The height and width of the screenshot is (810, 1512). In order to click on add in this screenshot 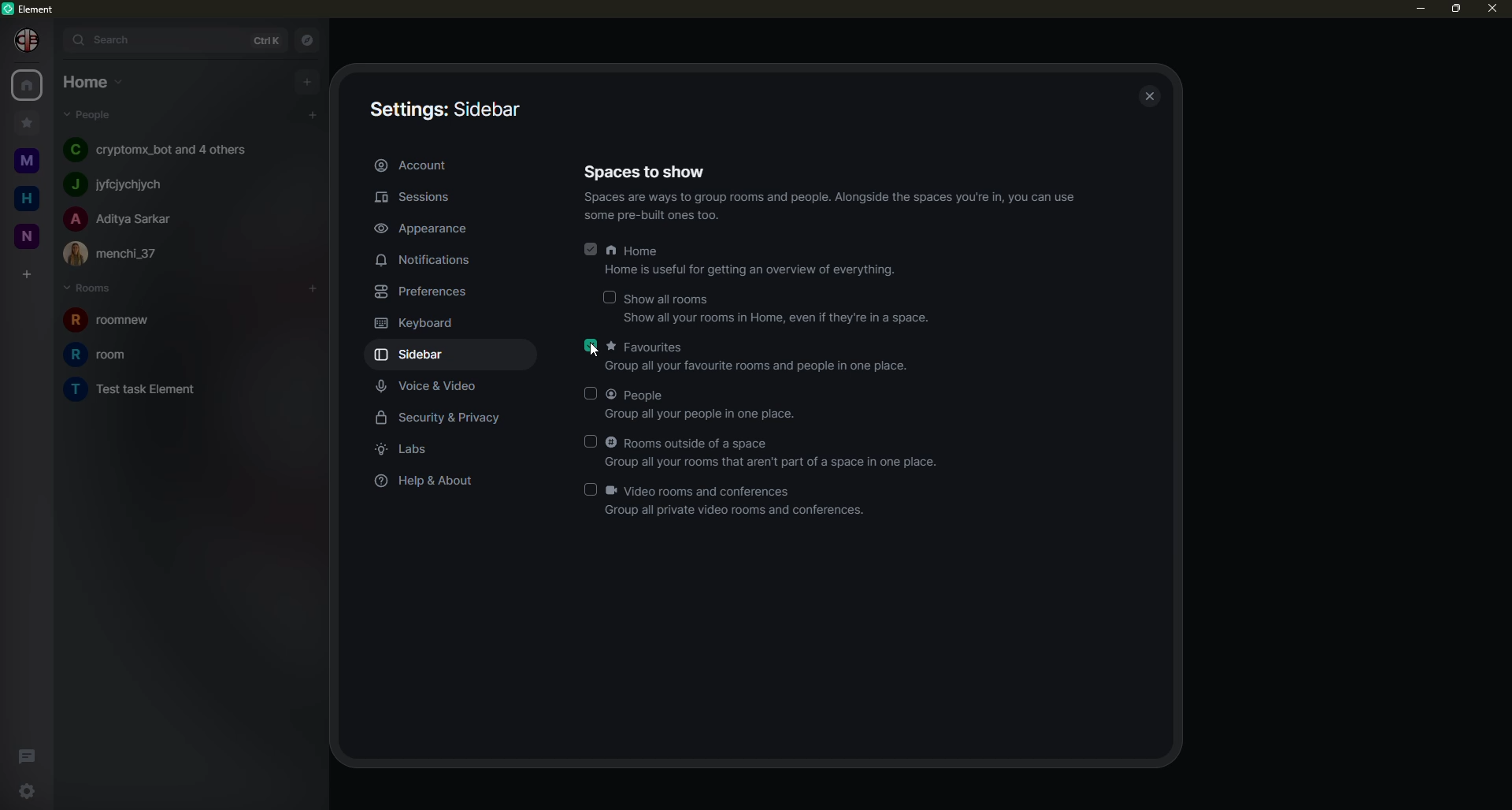, I will do `click(310, 113)`.